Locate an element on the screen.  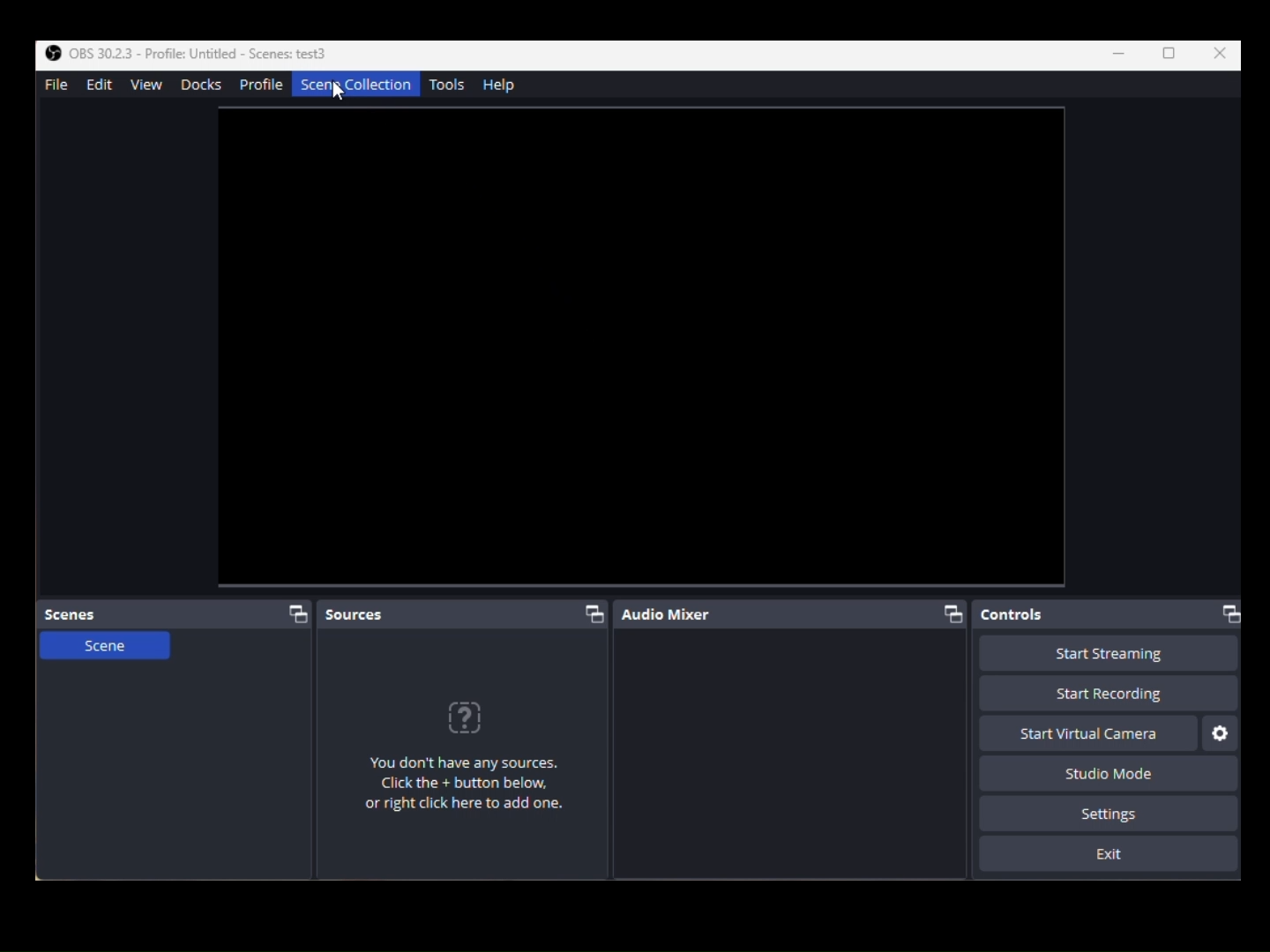
Settings is located at coordinates (1109, 814).